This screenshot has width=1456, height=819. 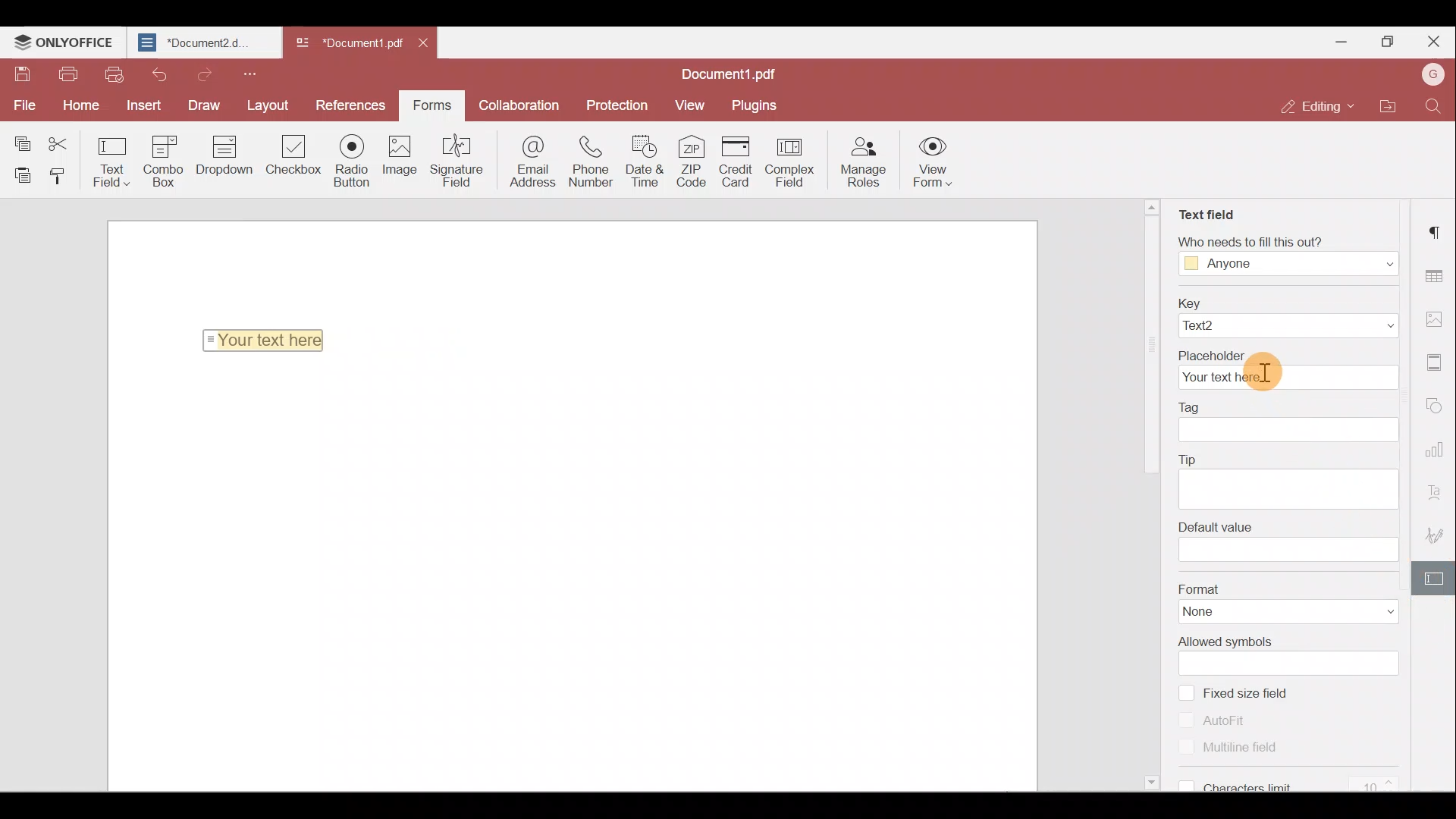 What do you see at coordinates (1290, 551) in the screenshot?
I see `Default value field` at bounding box center [1290, 551].